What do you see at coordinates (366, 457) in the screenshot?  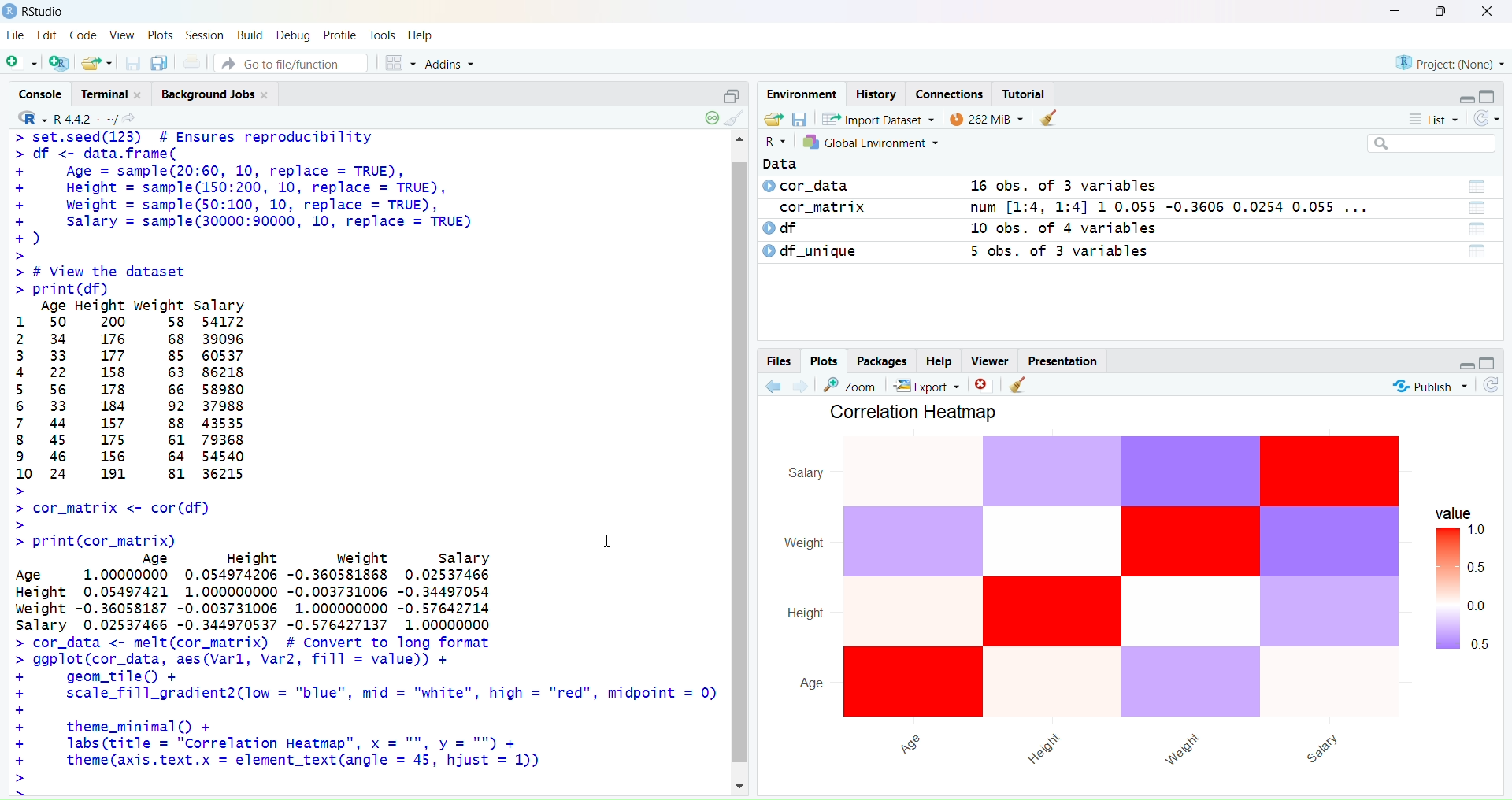 I see `> set.seed(123) # Ensures reproducibility
> df <- data.frame(
+ Age = sample(20:60, 10, replace = TRUE),
+ Height = sample(150:200, 10, replace = TRUE),
+ Weight = sample(50:100, 10, replace = TRUE),
+ salary = samp1e(30000:90000, 10, replace = TRUE)
+)
>
> # View the dataset
> print (df)
Age Height weight Salary
1 50 200 58 54172
2 34 176 68 39096
3 33 177 85 60537
4 22 158 63 86218
5 56 178 66 58980
6 33 184 92 37988
7 44 157 88 43535
8 45 175 61 79368
9 46 156 64 54540
10 24 191 81 36215
>
> cor_matrix <- cor (df)
>
> print(cor_matrix) I
Age Height weight salary
Age 1.00000000 0.054974206 -0.360581868 0.02537466
Height 0.05497421 1.000000000 -0.003731006 -0.34497054
Weight -0.36058187 -0.003731006 1.000000000 -0.57642714
Salary 0.02537466 -0.344970537 -0.576427137 1.00000000
> cor_data <- melt(cor_matrix) # Convert to long format
> ggplot(cor_data, aes(varl, var2, fill = value)) +
+ geom_tile() +
+ scale_fill_gradient2(low = "blue", mid = "white", high = "red", midpoint = 0)
+
+ theme_minimal() +
+ labs (title = "Correlation Heatmap", x = "", y = "") +
+ theme(axis.text.x = element_text(angle = 45, hjust = 1))
>` at bounding box center [366, 457].